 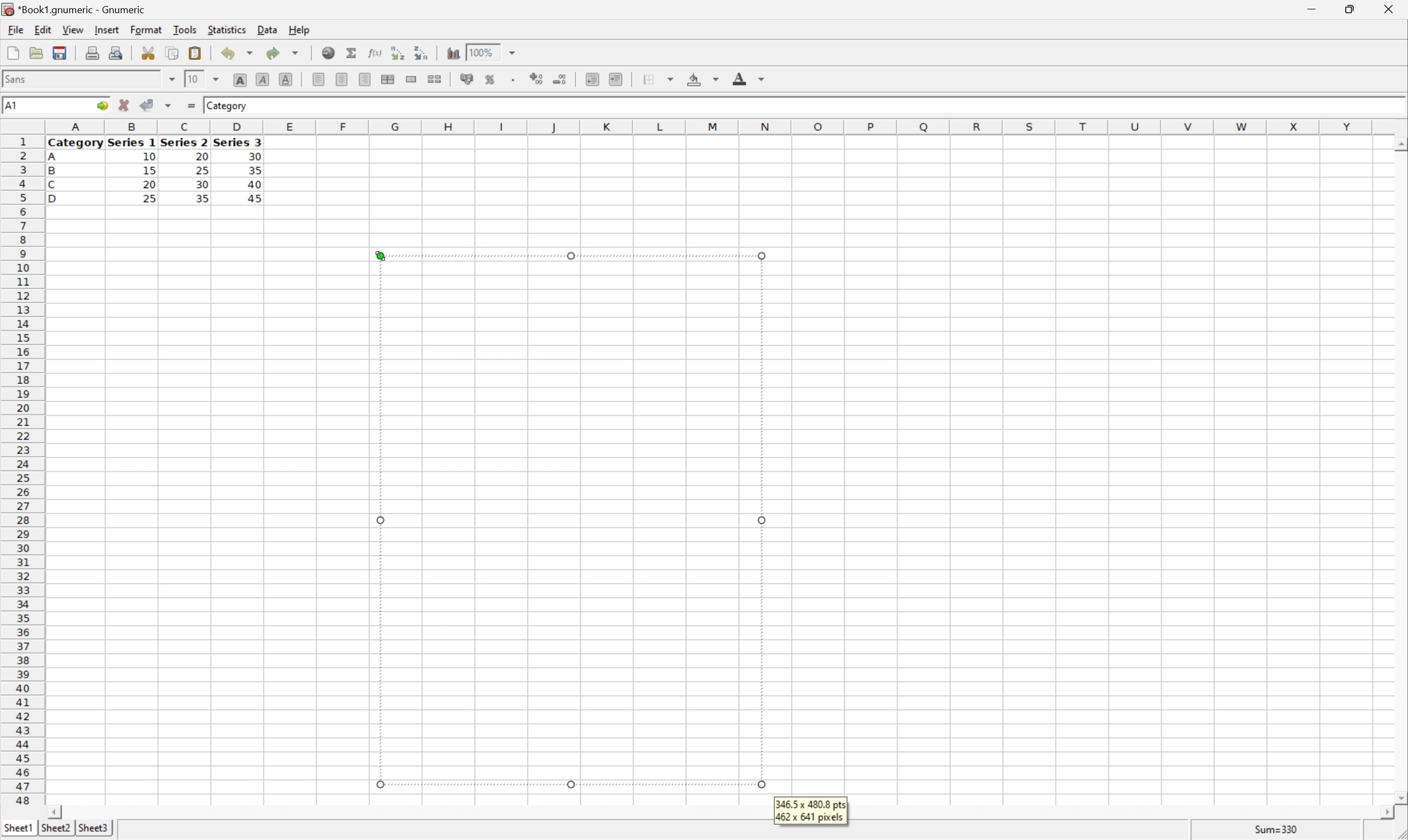 I want to click on Print current file, so click(x=92, y=54).